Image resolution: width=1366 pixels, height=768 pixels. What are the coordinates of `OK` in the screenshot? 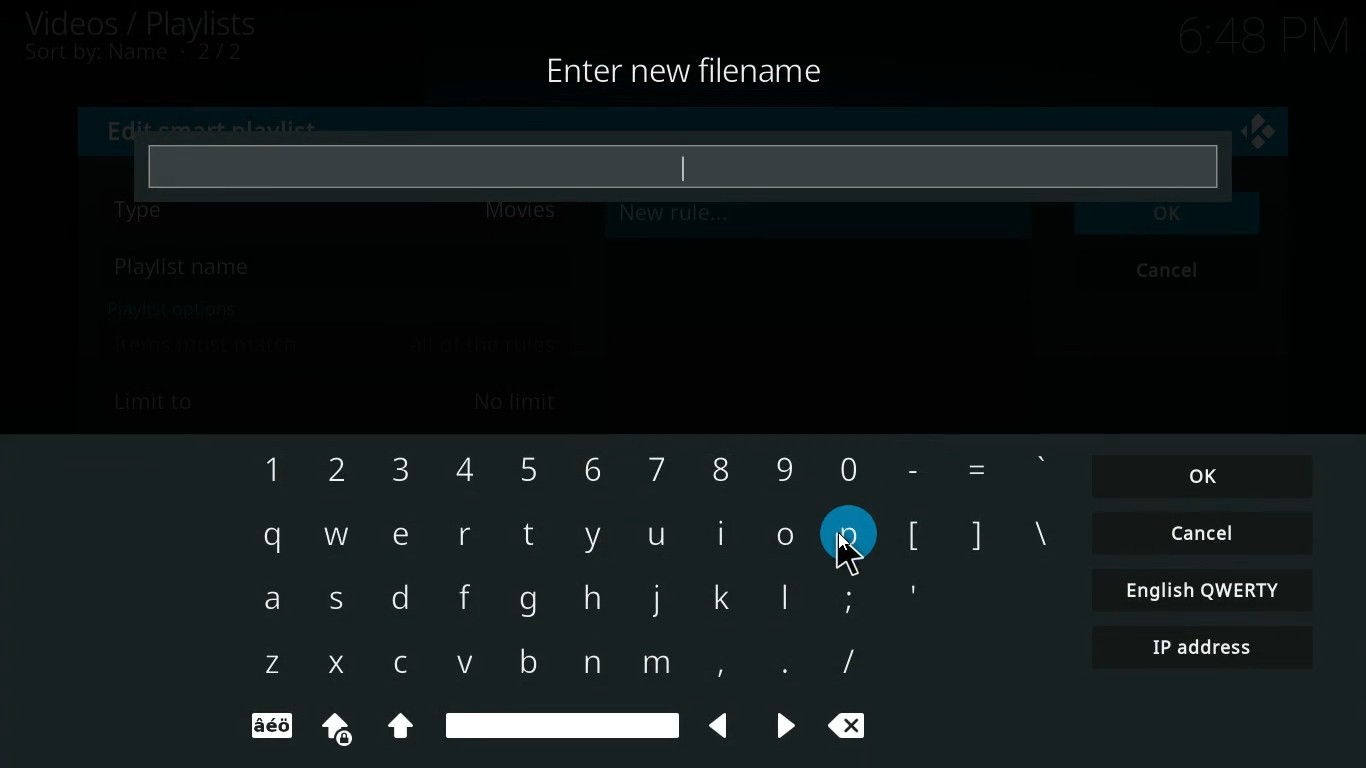 It's located at (1204, 477).